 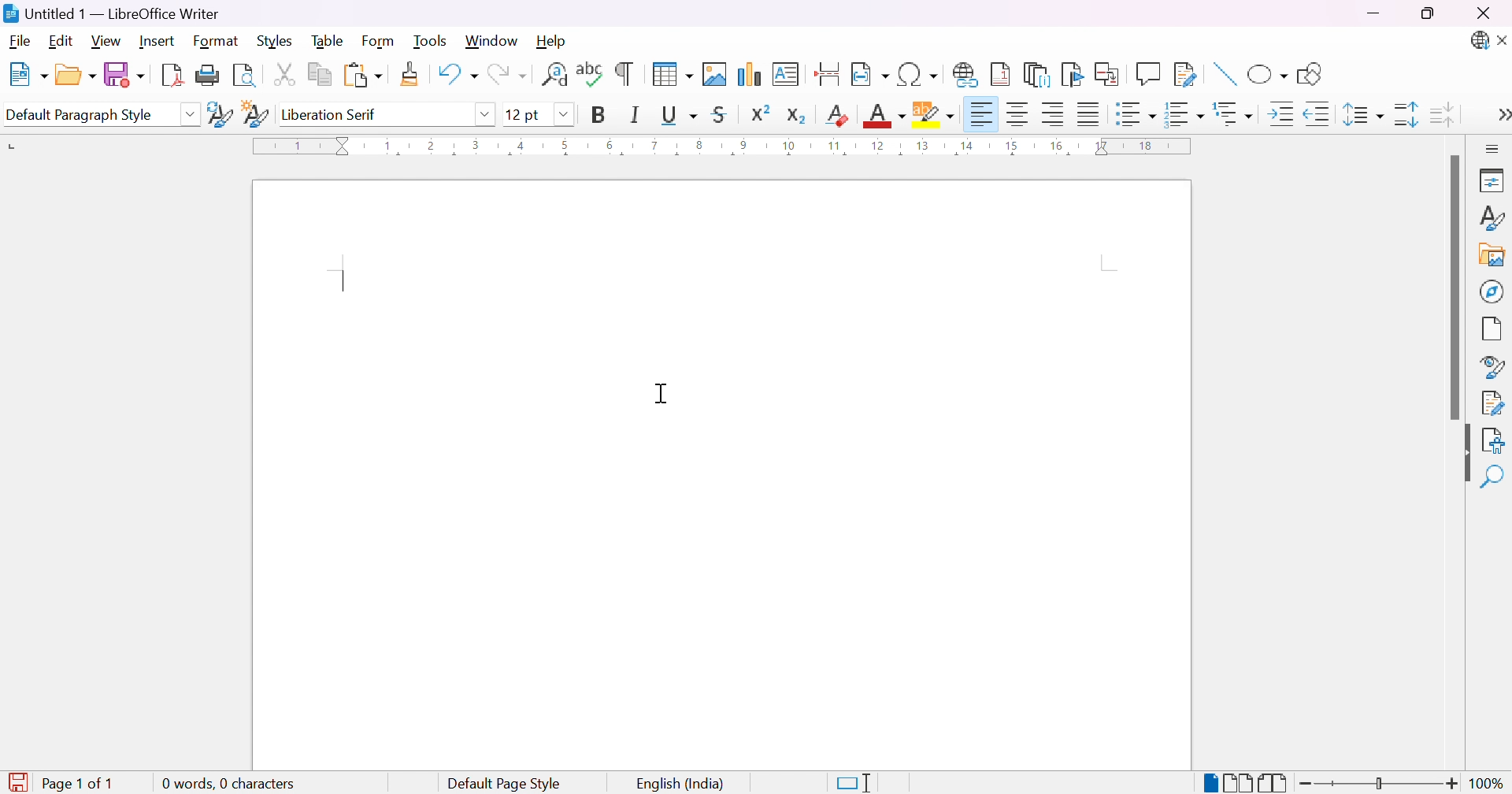 I want to click on Insert chart, so click(x=751, y=76).